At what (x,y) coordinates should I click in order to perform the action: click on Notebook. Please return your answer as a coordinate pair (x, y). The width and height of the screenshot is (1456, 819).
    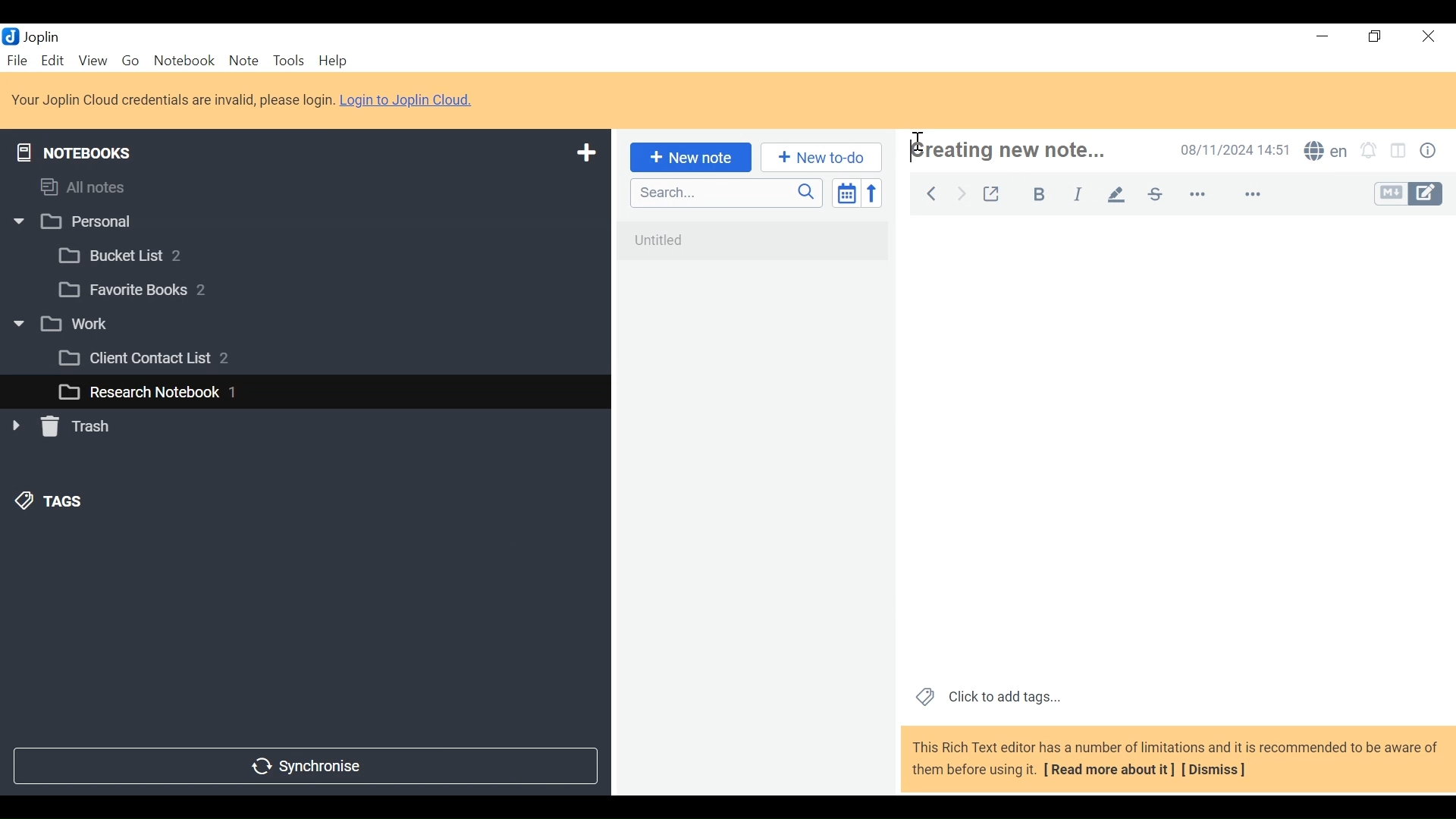
    Looking at the image, I should click on (186, 60).